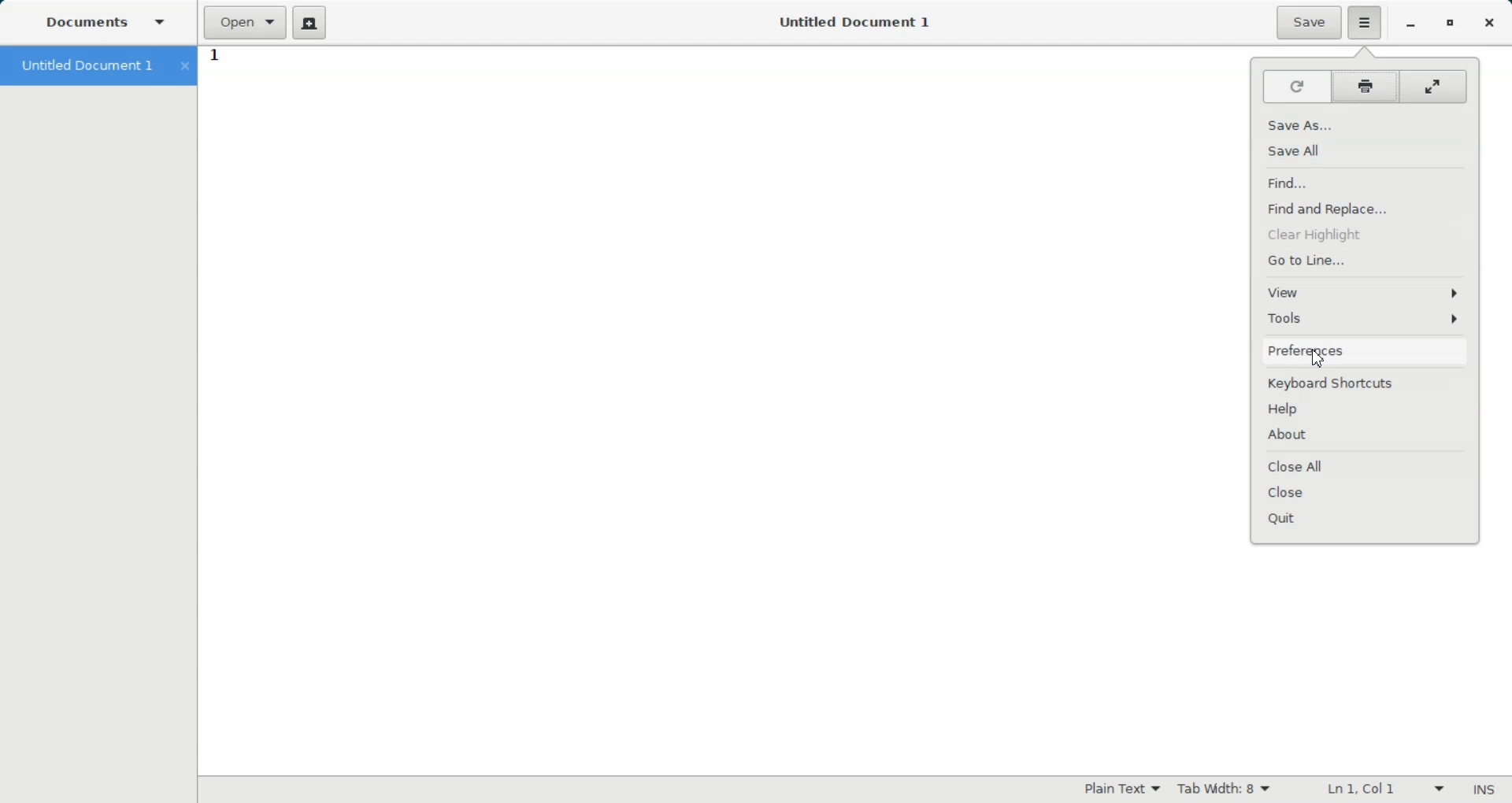 Image resolution: width=1512 pixels, height=803 pixels. I want to click on Close All, so click(1366, 464).